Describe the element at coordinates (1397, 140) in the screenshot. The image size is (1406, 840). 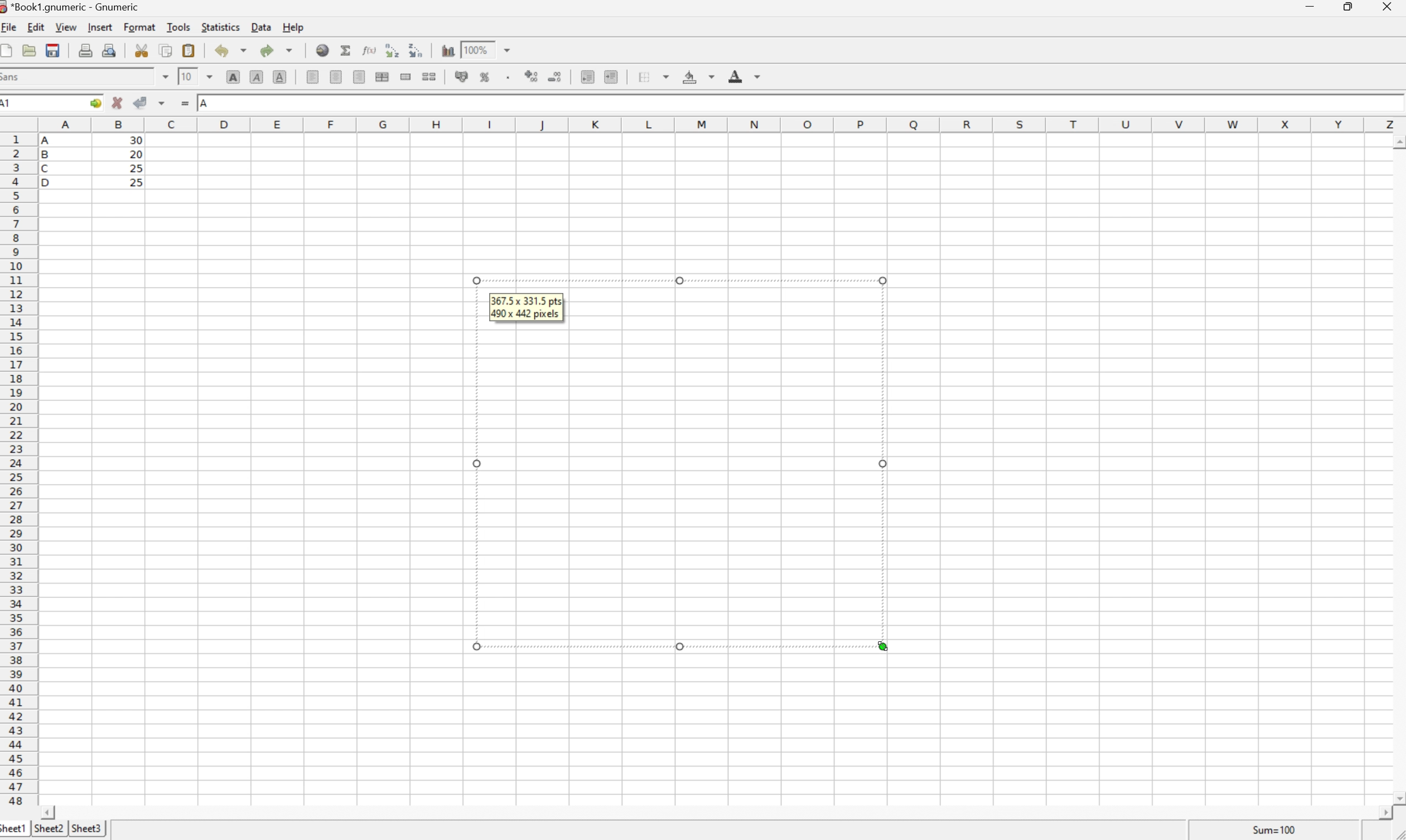
I see `Scroll Up` at that location.